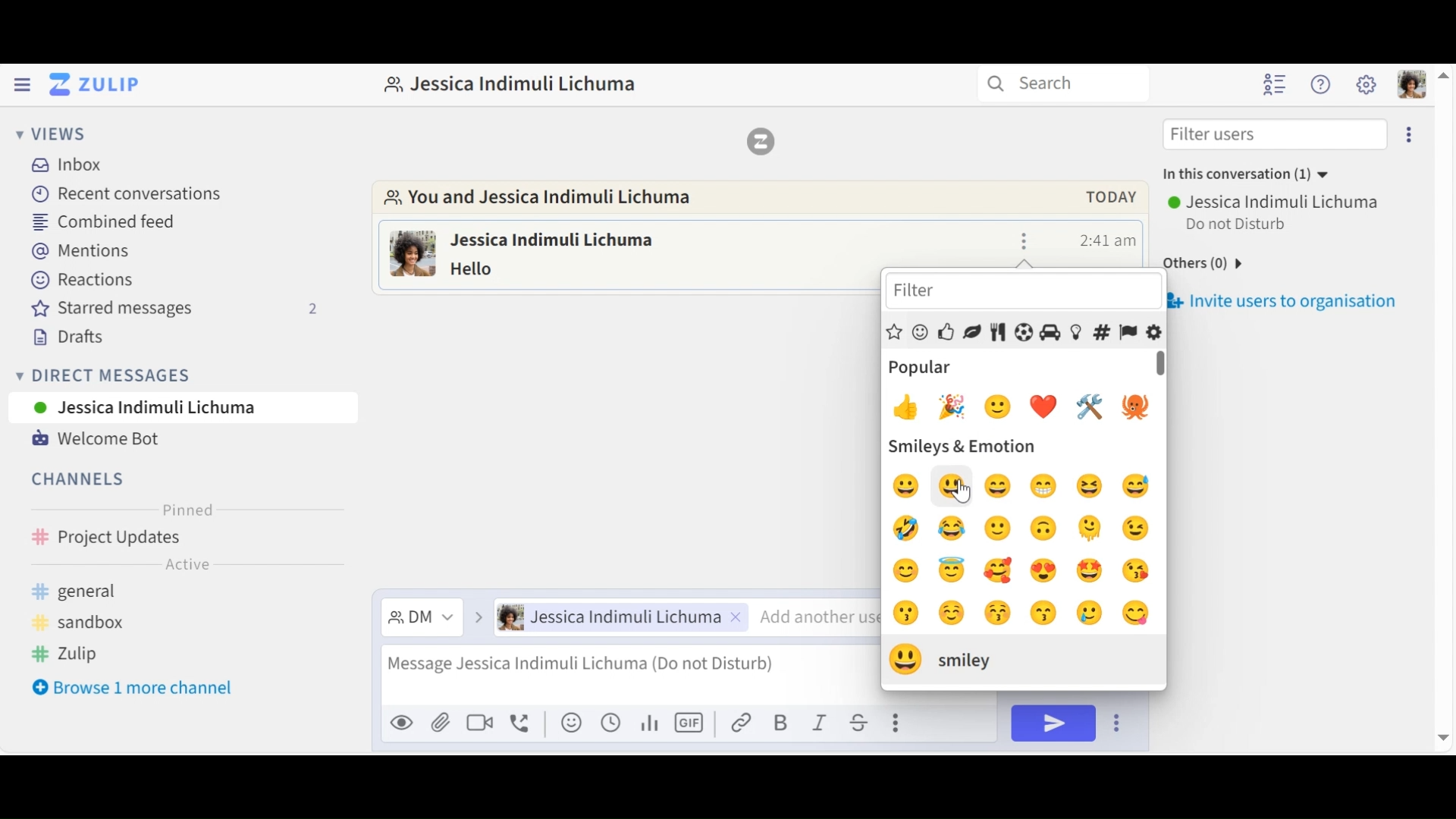 Image resolution: width=1456 pixels, height=819 pixels. I want to click on angel smile, so click(951, 570).